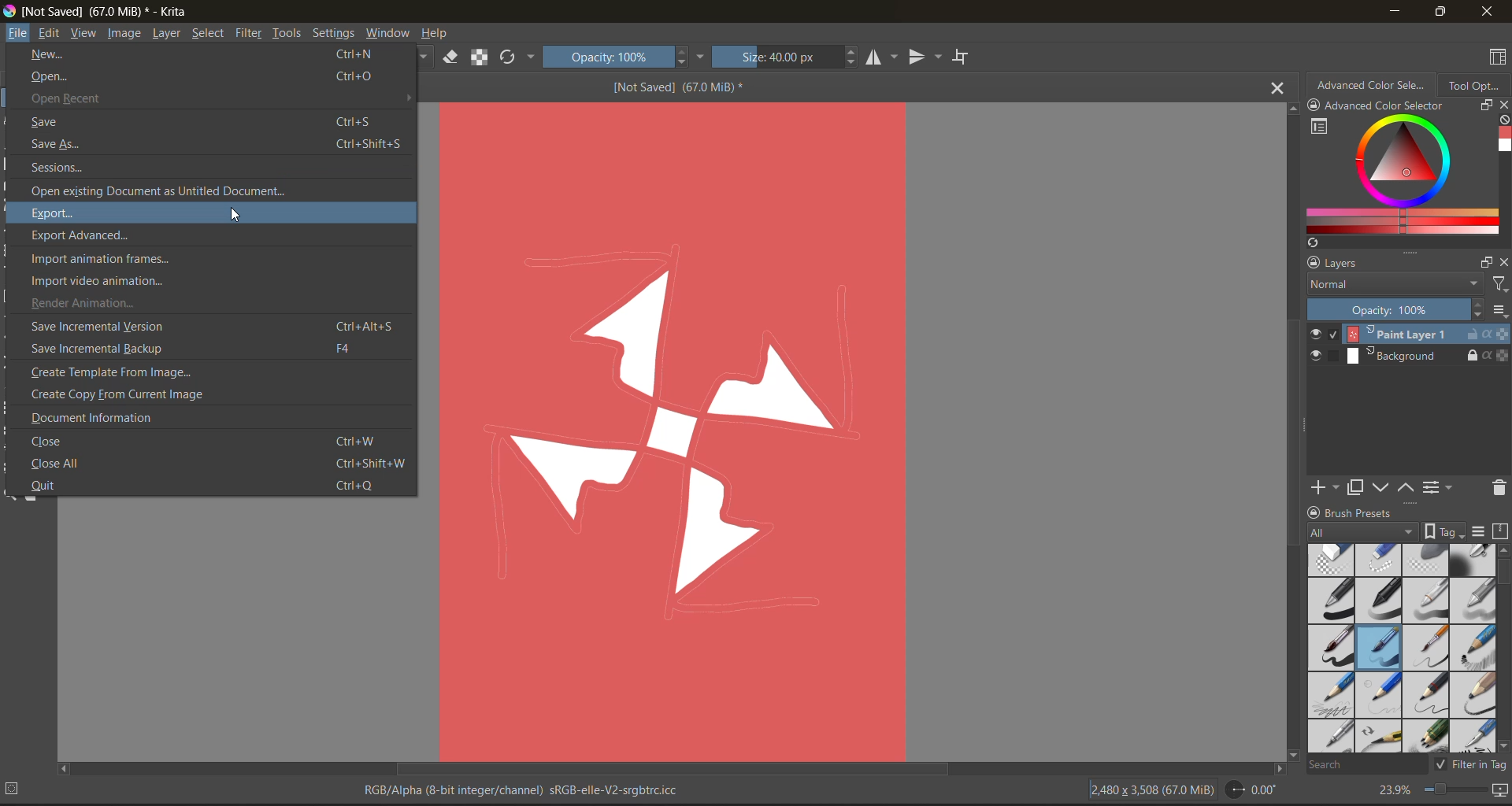  Describe the element at coordinates (1405, 106) in the screenshot. I see `Advanced color selector` at that location.